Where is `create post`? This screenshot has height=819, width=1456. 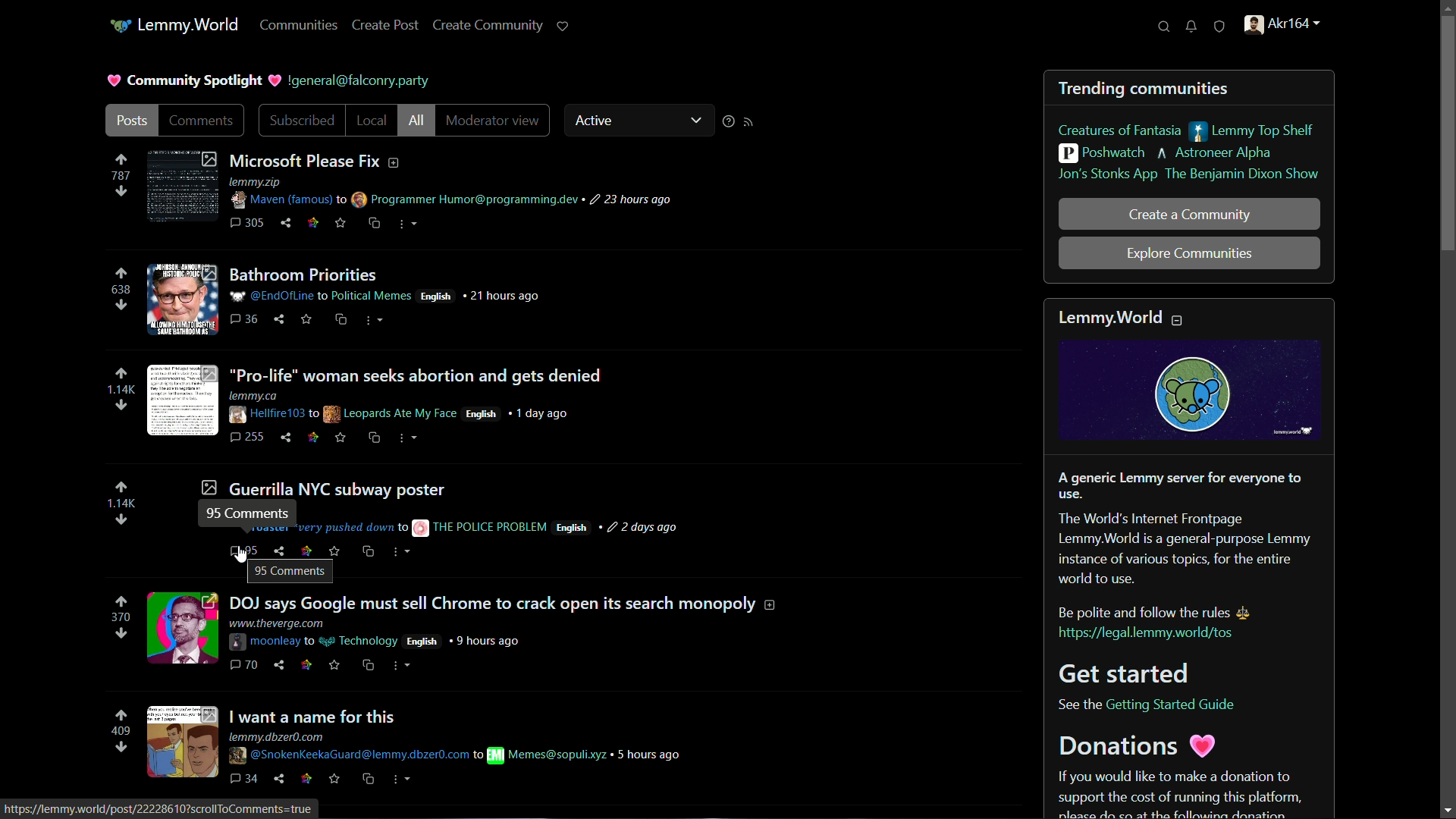 create post is located at coordinates (388, 24).